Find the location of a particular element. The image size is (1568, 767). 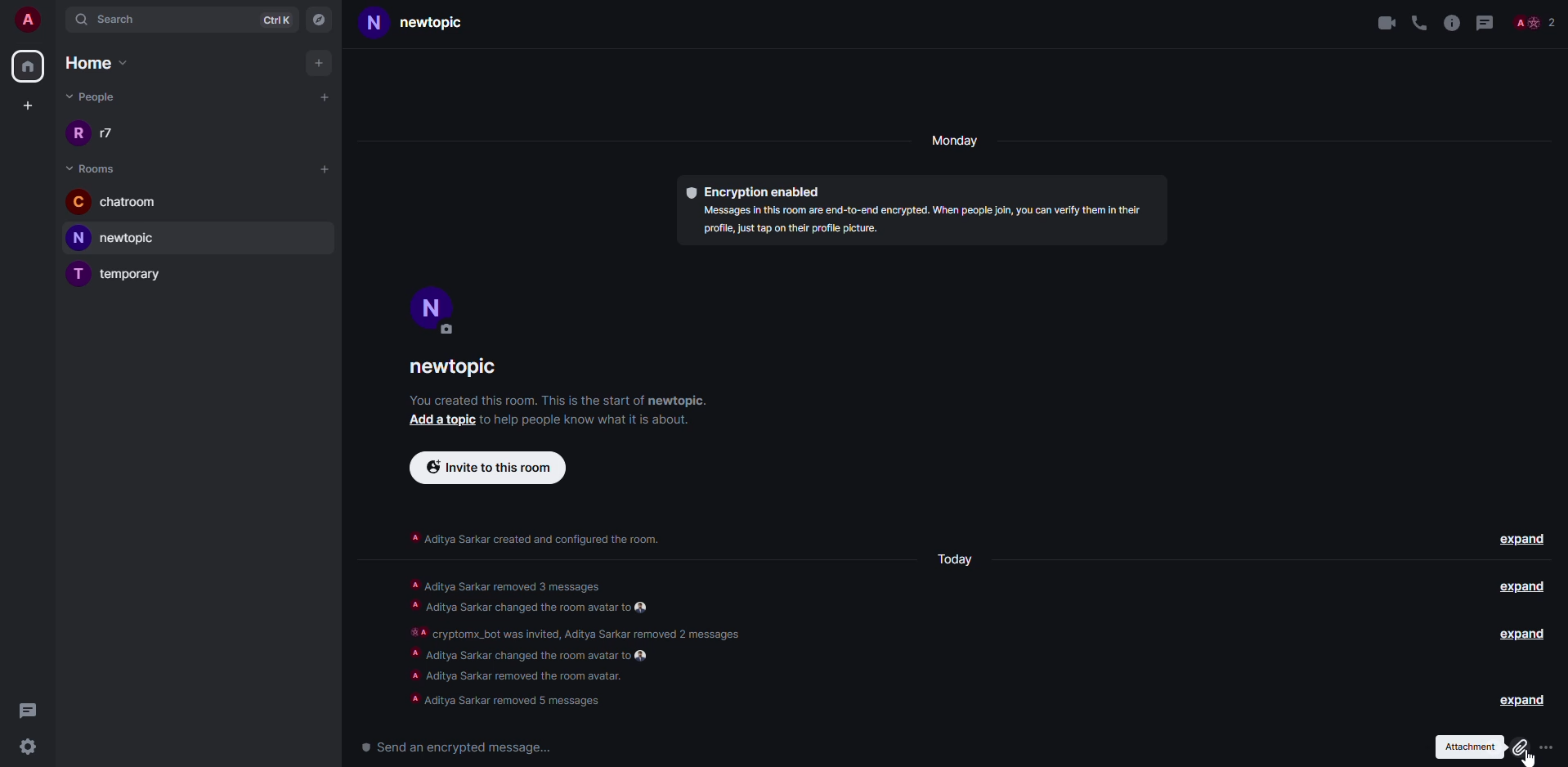

navigator is located at coordinates (323, 20).